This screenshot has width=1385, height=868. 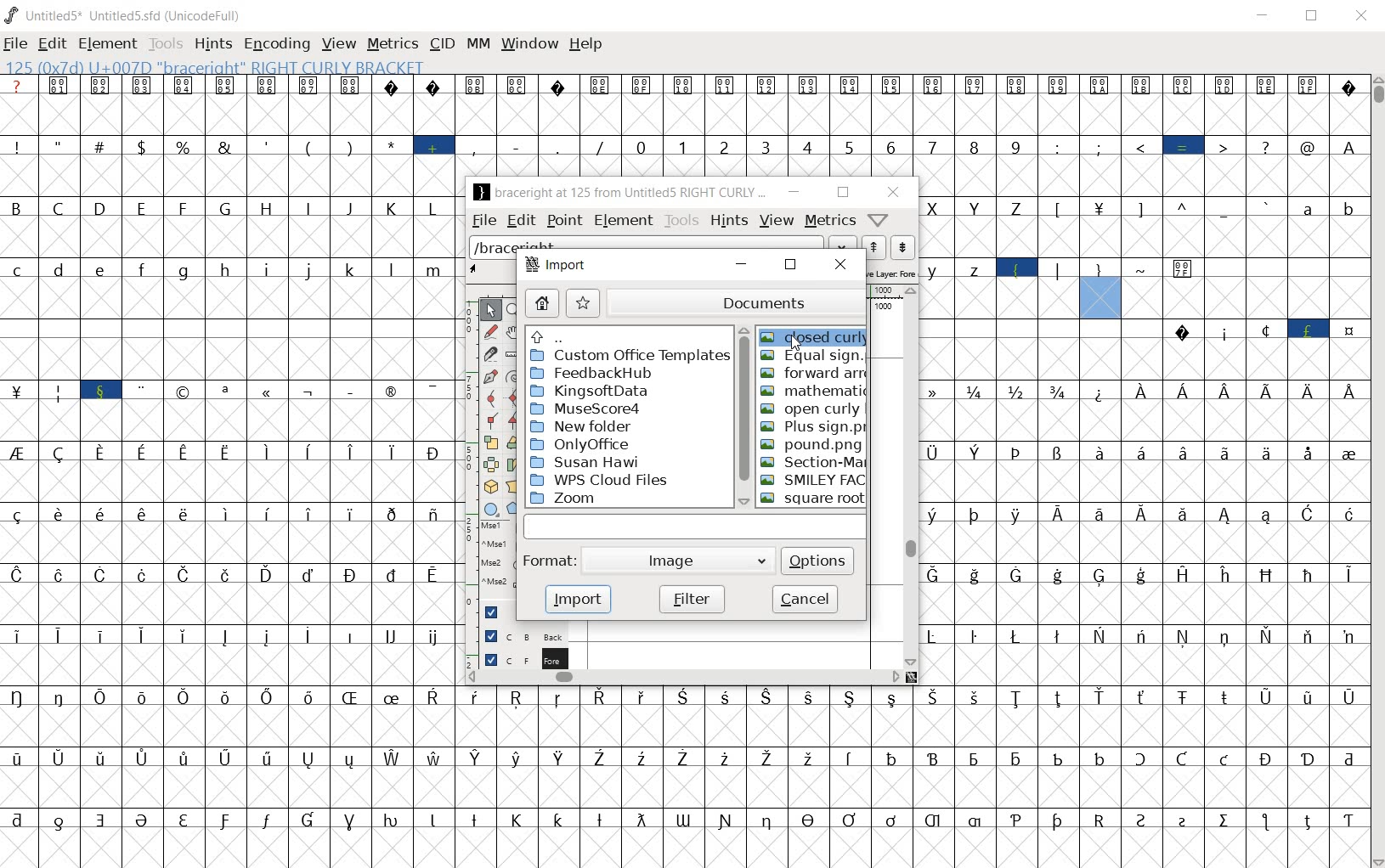 I want to click on FILE, so click(x=16, y=45).